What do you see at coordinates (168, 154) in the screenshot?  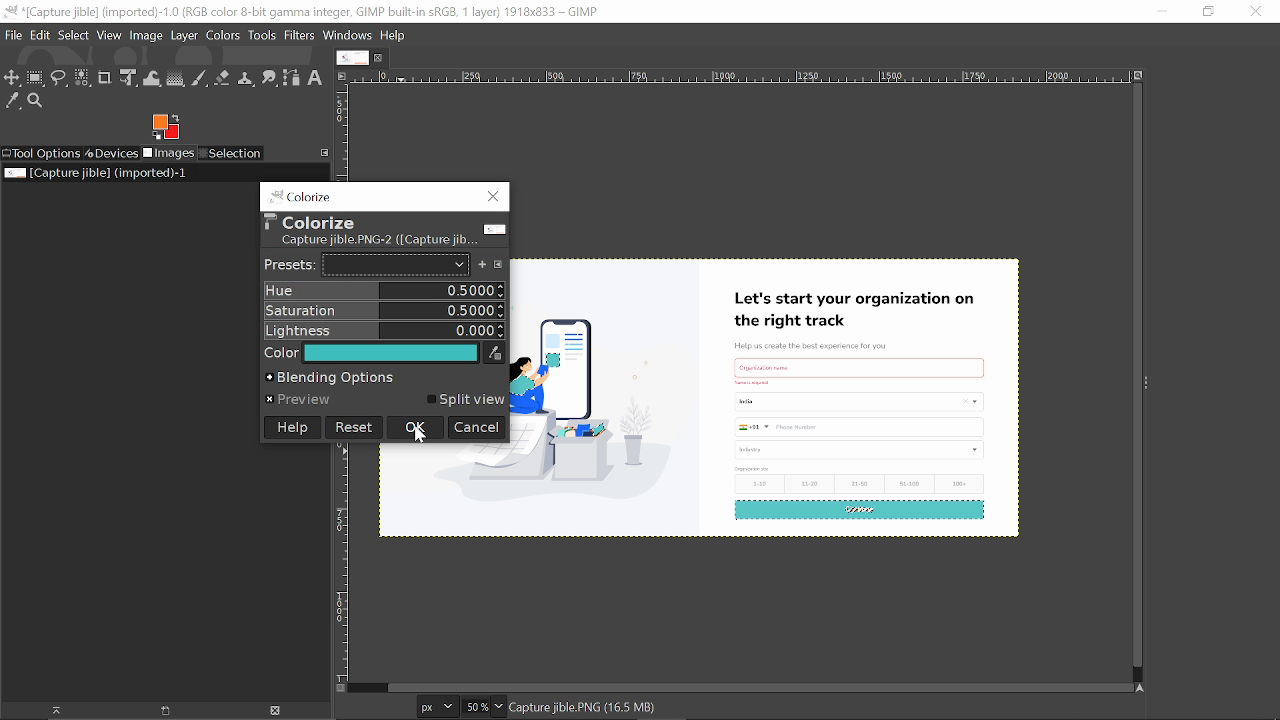 I see `Images` at bounding box center [168, 154].